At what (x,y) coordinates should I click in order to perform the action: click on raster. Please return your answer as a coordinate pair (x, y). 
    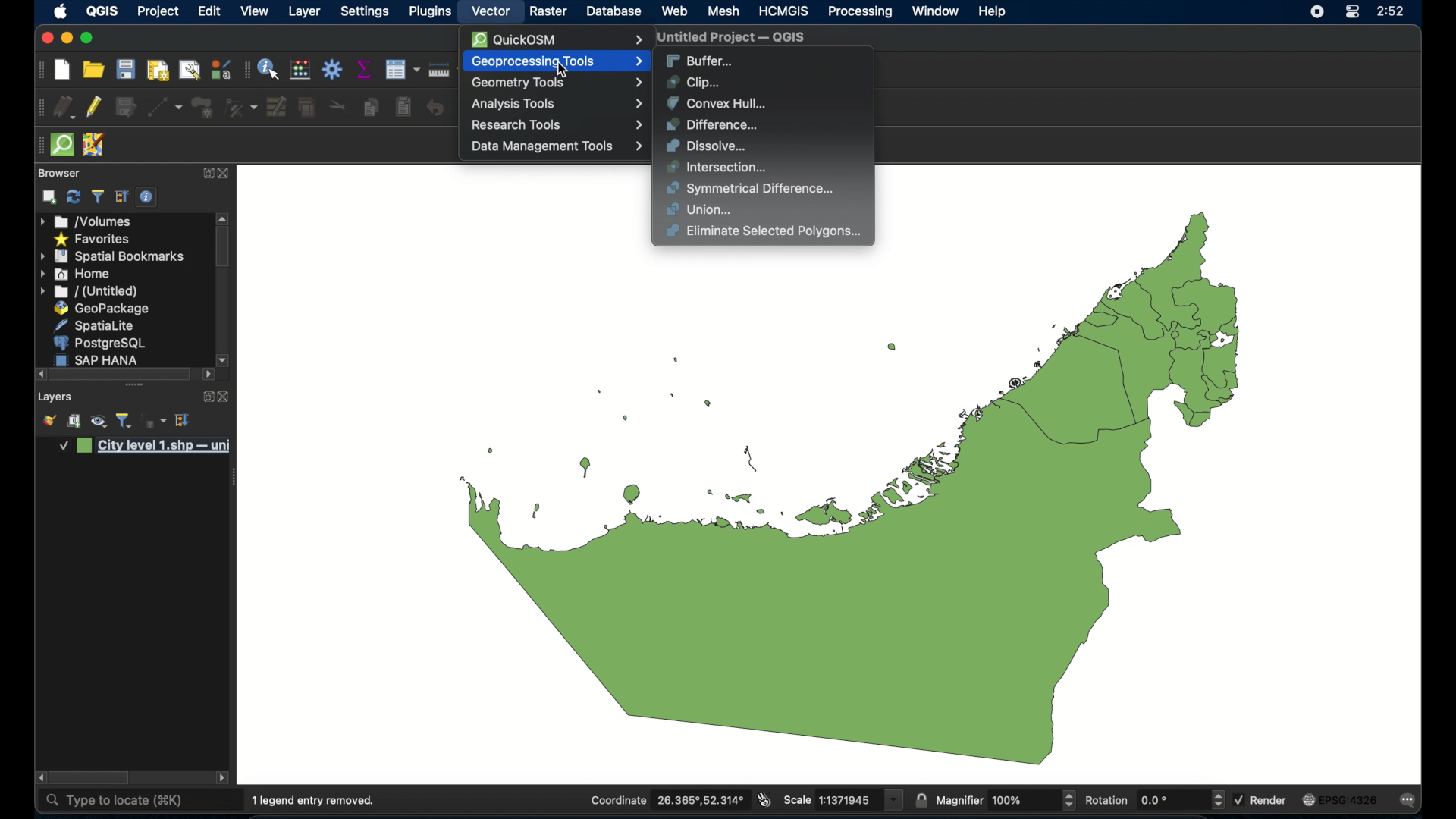
    Looking at the image, I should click on (548, 11).